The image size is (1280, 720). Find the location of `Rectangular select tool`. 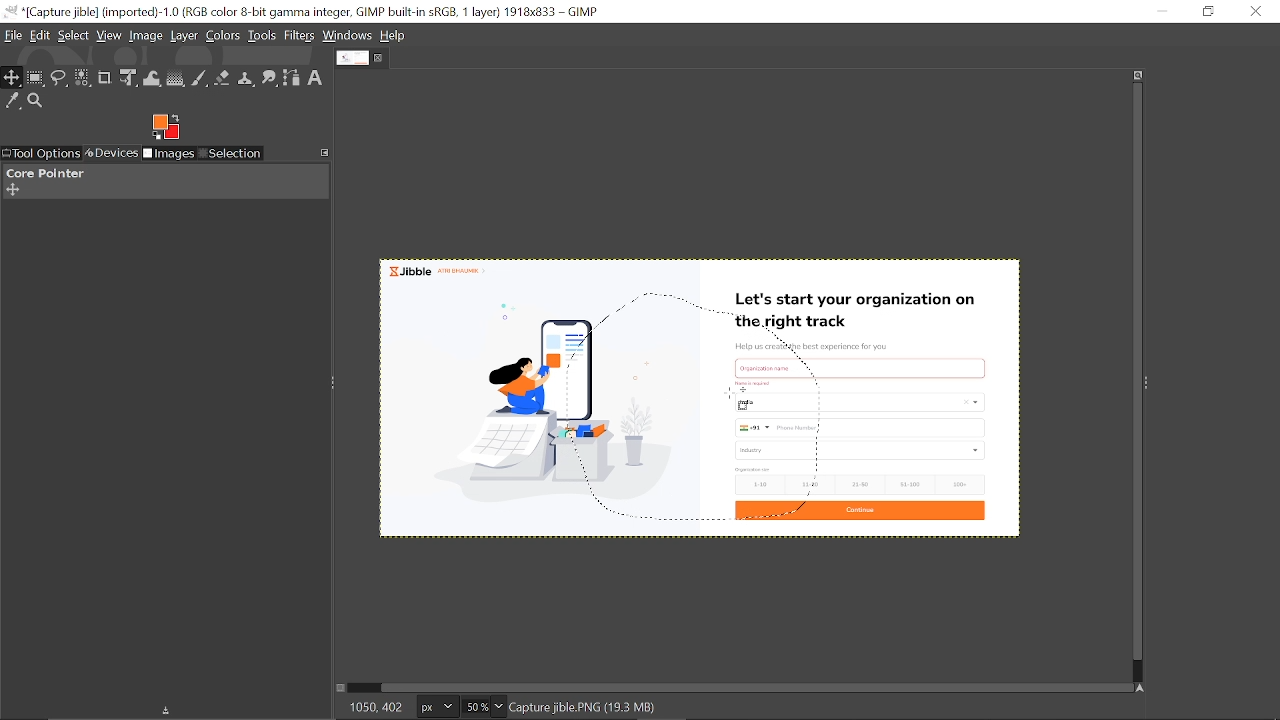

Rectangular select tool is located at coordinates (36, 79).